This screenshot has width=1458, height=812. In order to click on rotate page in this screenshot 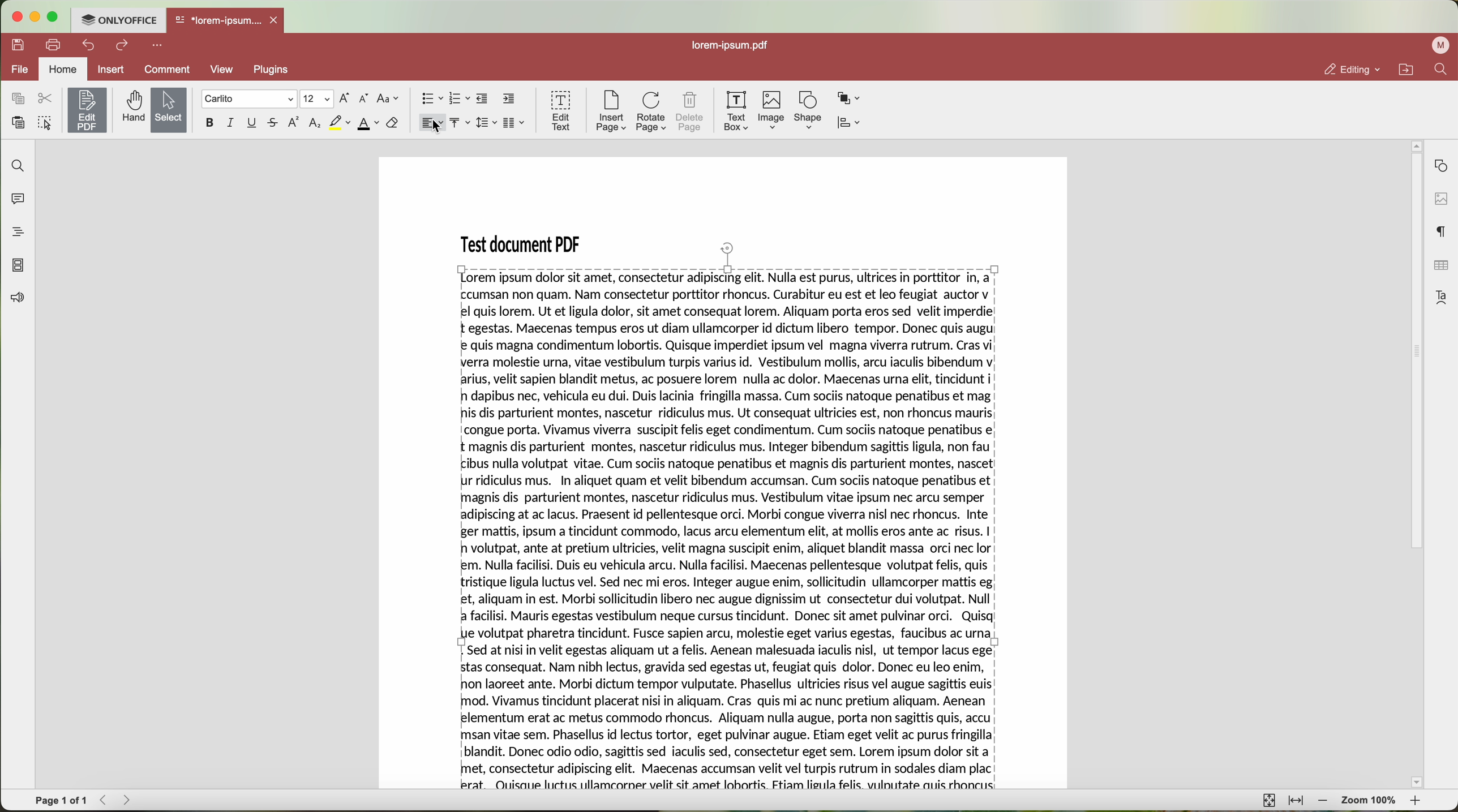, I will do `click(652, 113)`.